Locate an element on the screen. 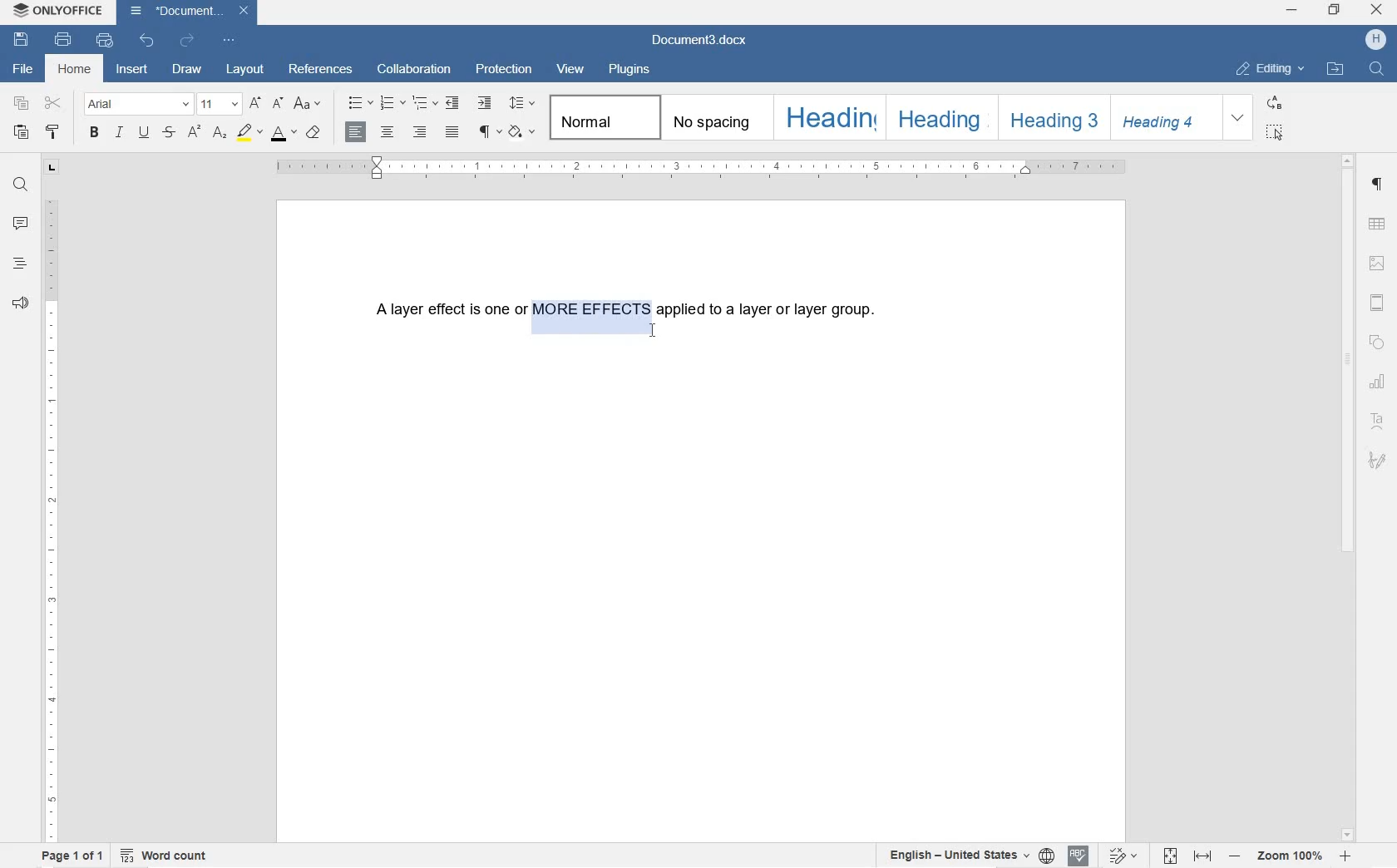 The width and height of the screenshot is (1397, 868). REPLACE is located at coordinates (1275, 102).